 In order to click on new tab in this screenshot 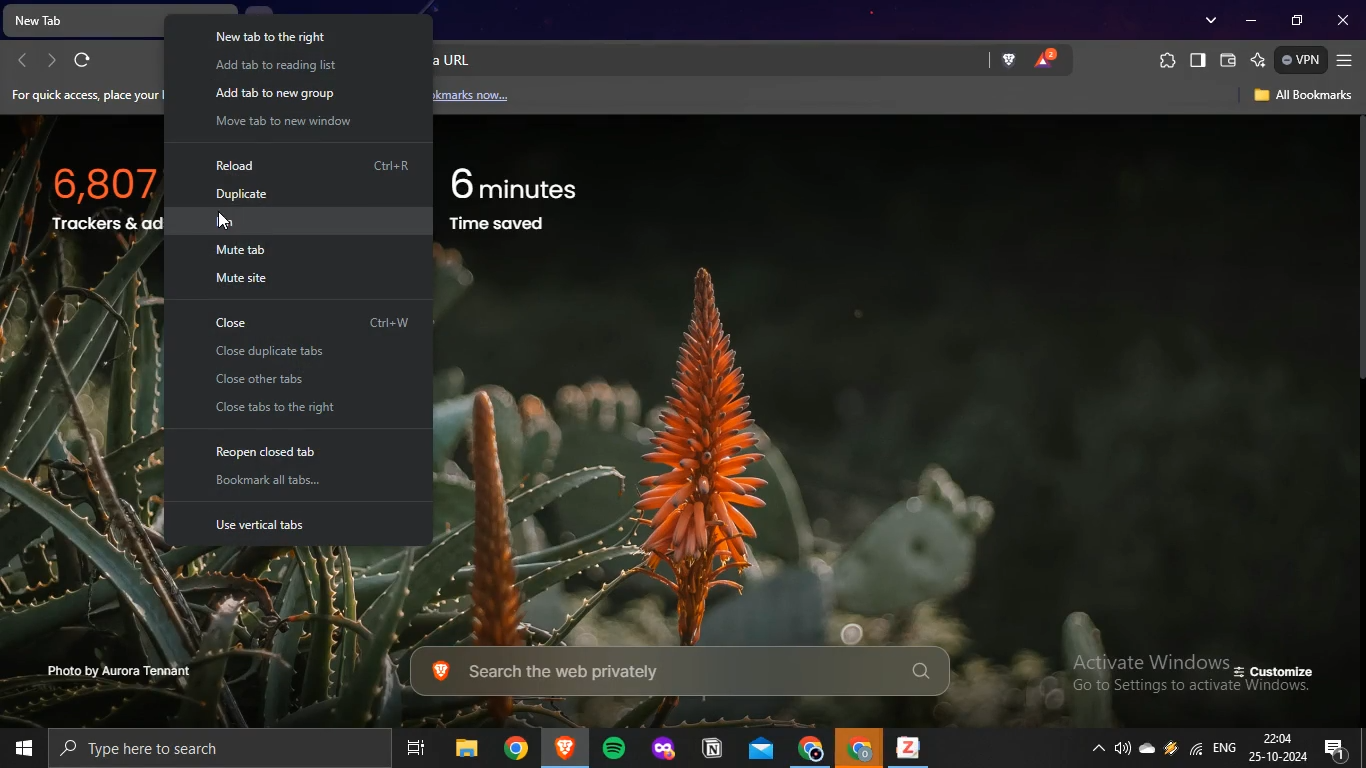, I will do `click(79, 18)`.